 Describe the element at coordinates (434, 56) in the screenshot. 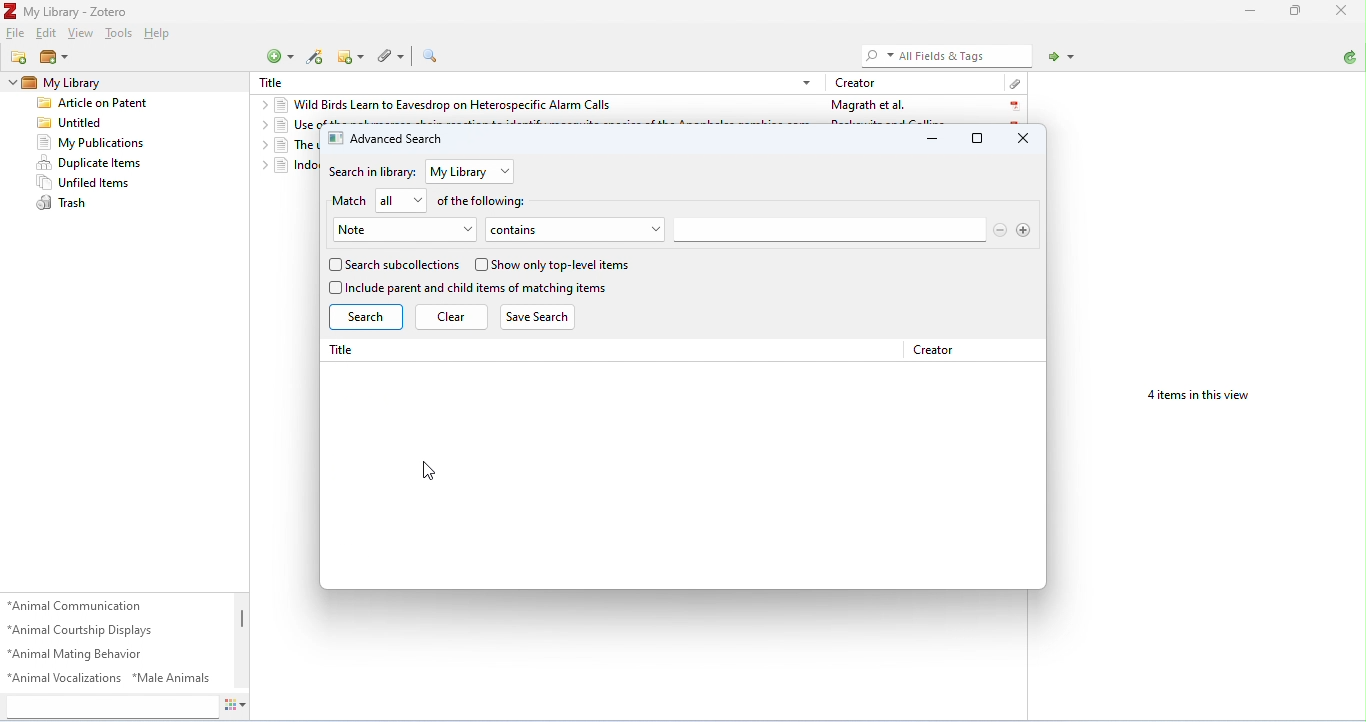

I see `advanced search` at that location.